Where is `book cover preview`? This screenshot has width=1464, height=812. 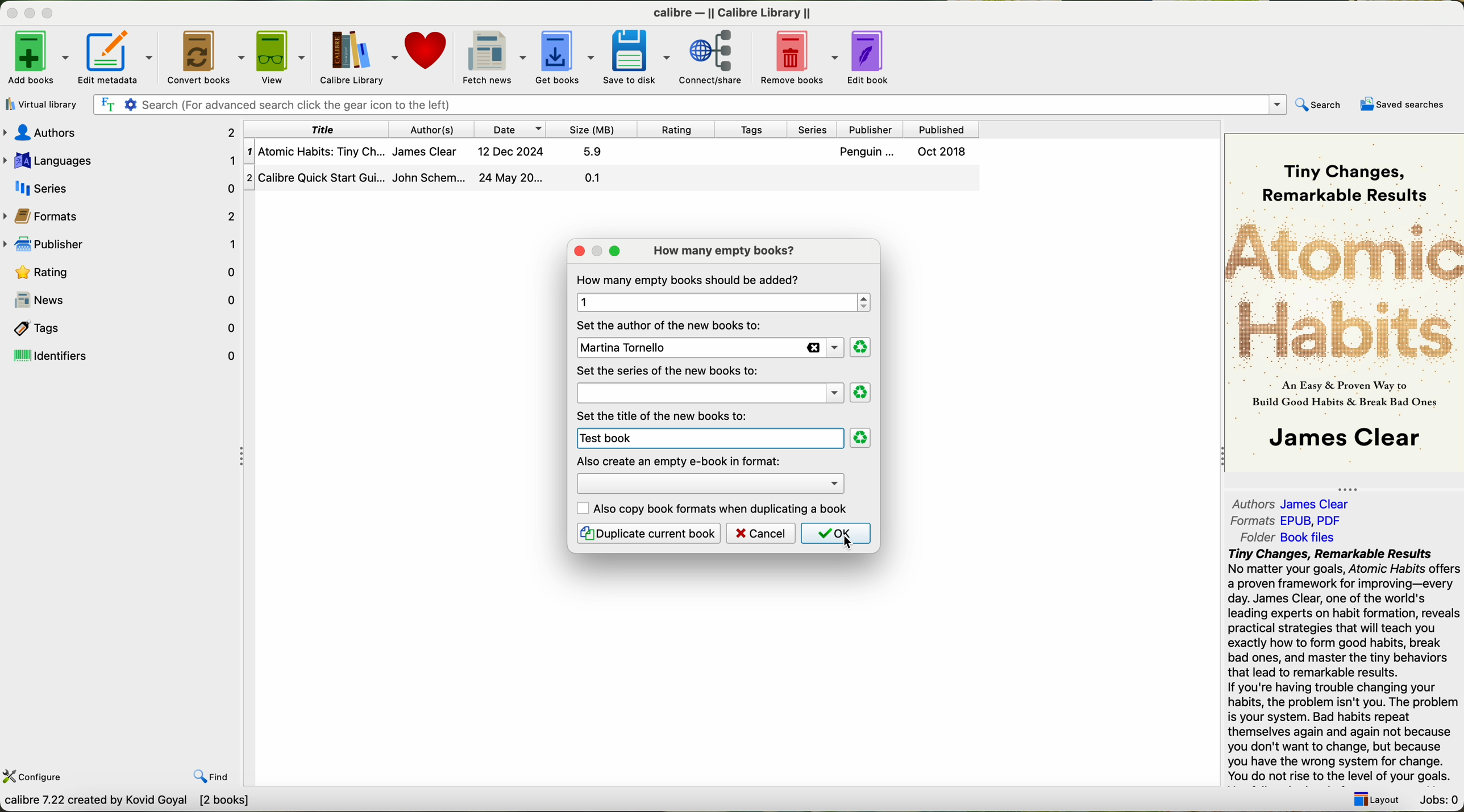
book cover preview is located at coordinates (1345, 302).